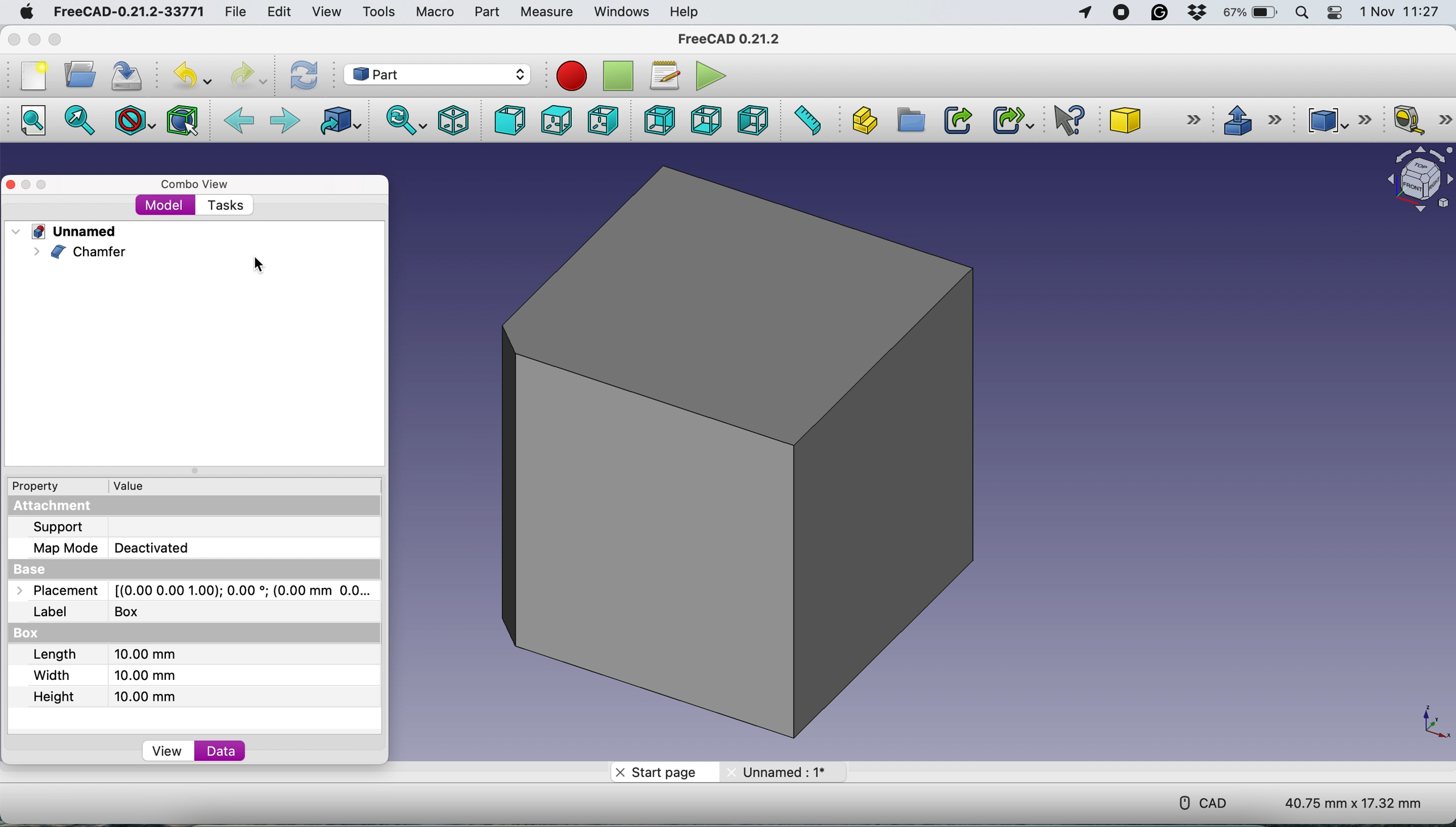 The width and height of the screenshot is (1456, 827). What do you see at coordinates (187, 76) in the screenshot?
I see `undo` at bounding box center [187, 76].